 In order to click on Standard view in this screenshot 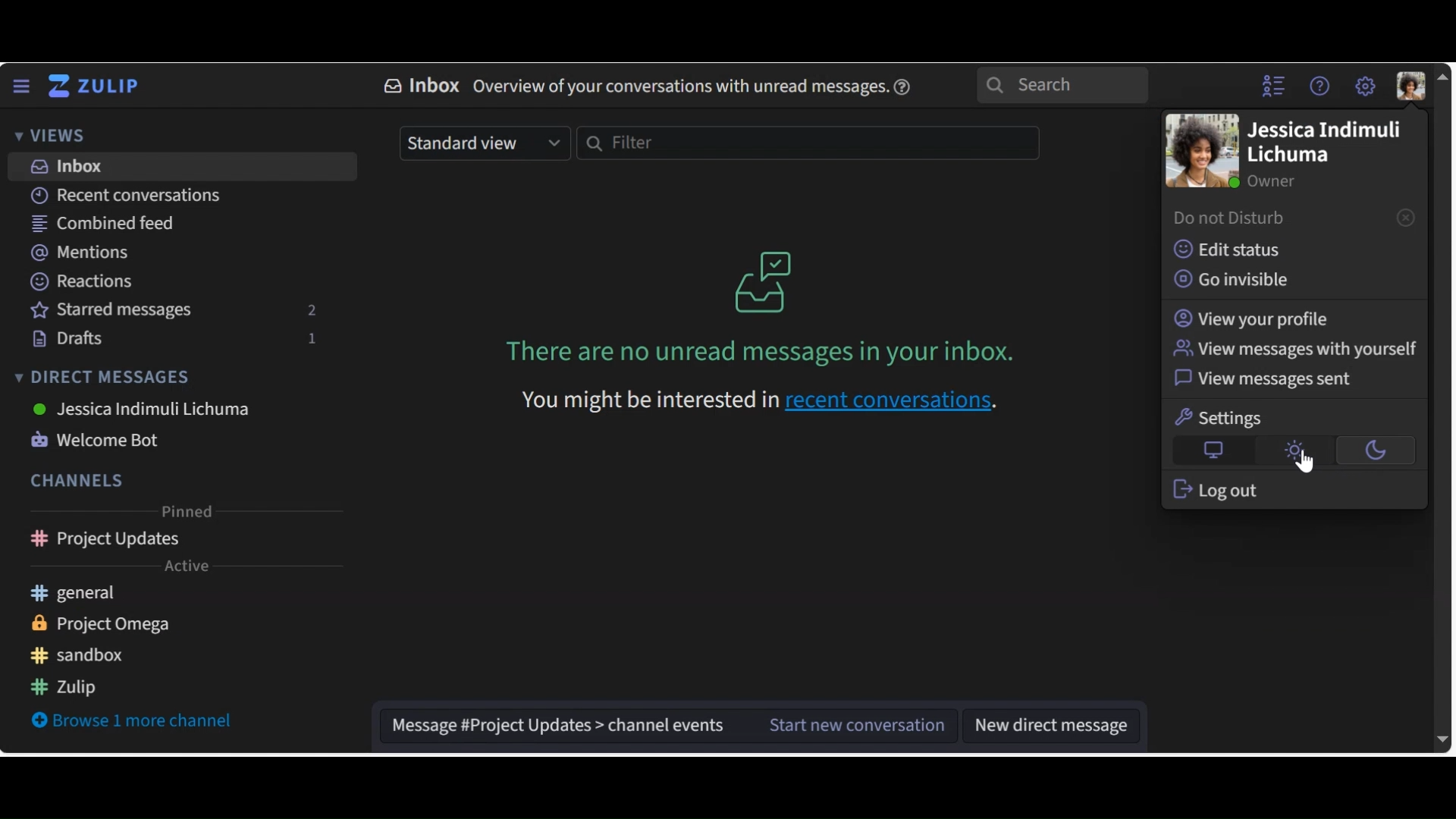, I will do `click(485, 144)`.